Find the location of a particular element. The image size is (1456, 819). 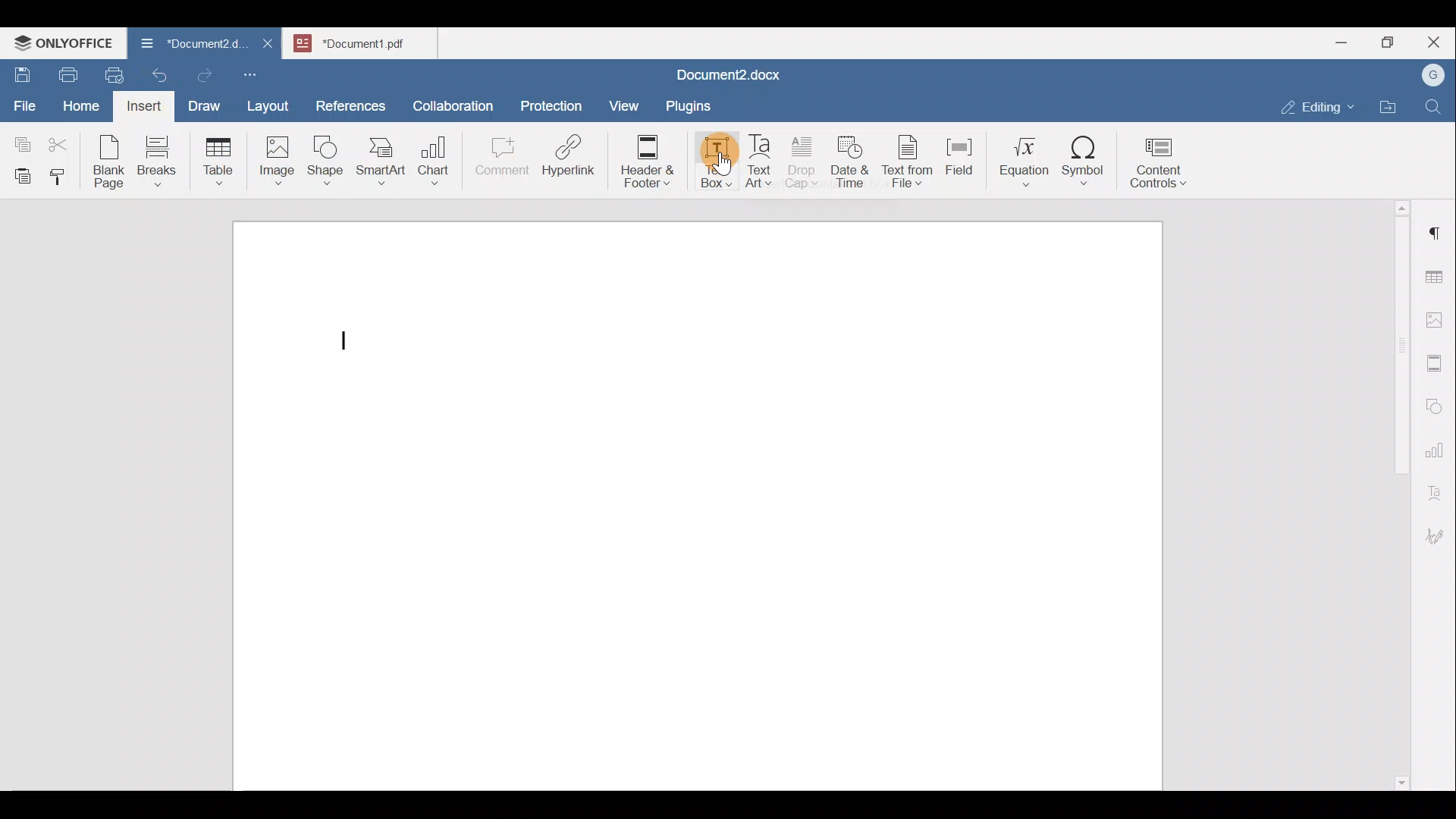

Comment is located at coordinates (497, 160).